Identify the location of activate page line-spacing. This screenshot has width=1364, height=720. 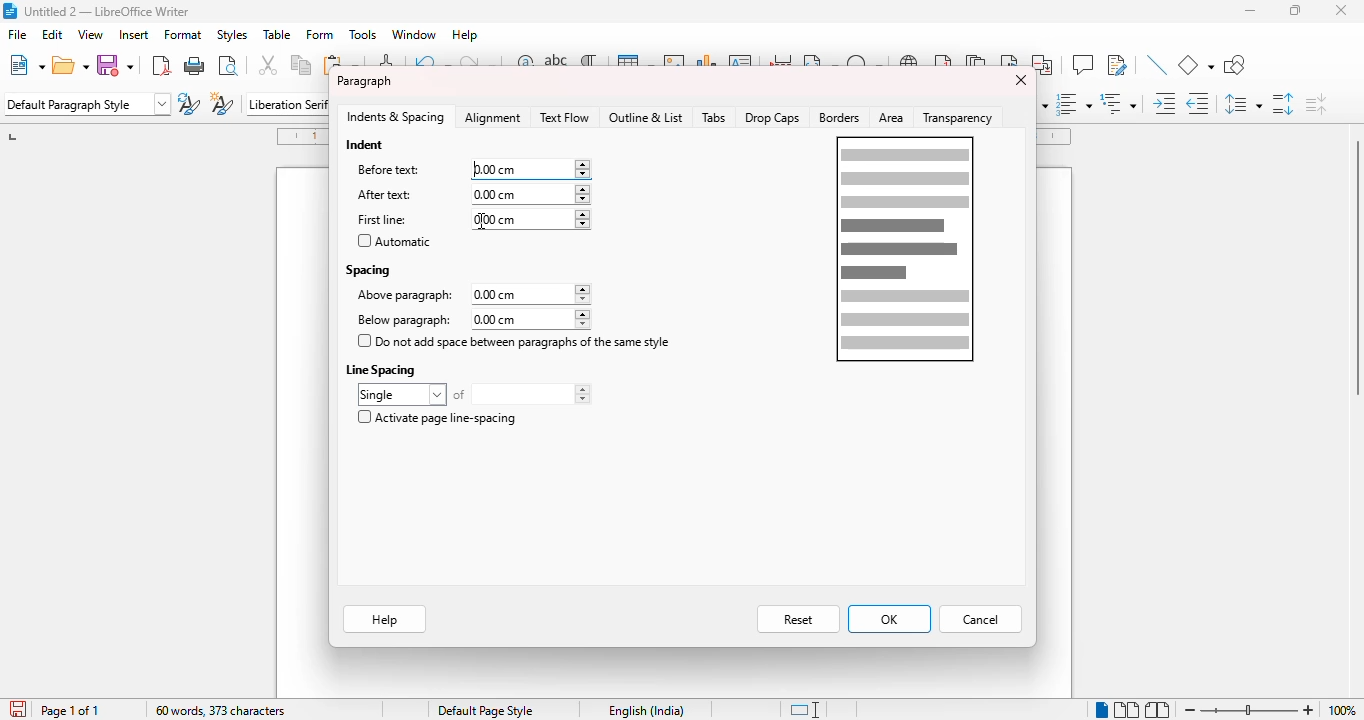
(436, 417).